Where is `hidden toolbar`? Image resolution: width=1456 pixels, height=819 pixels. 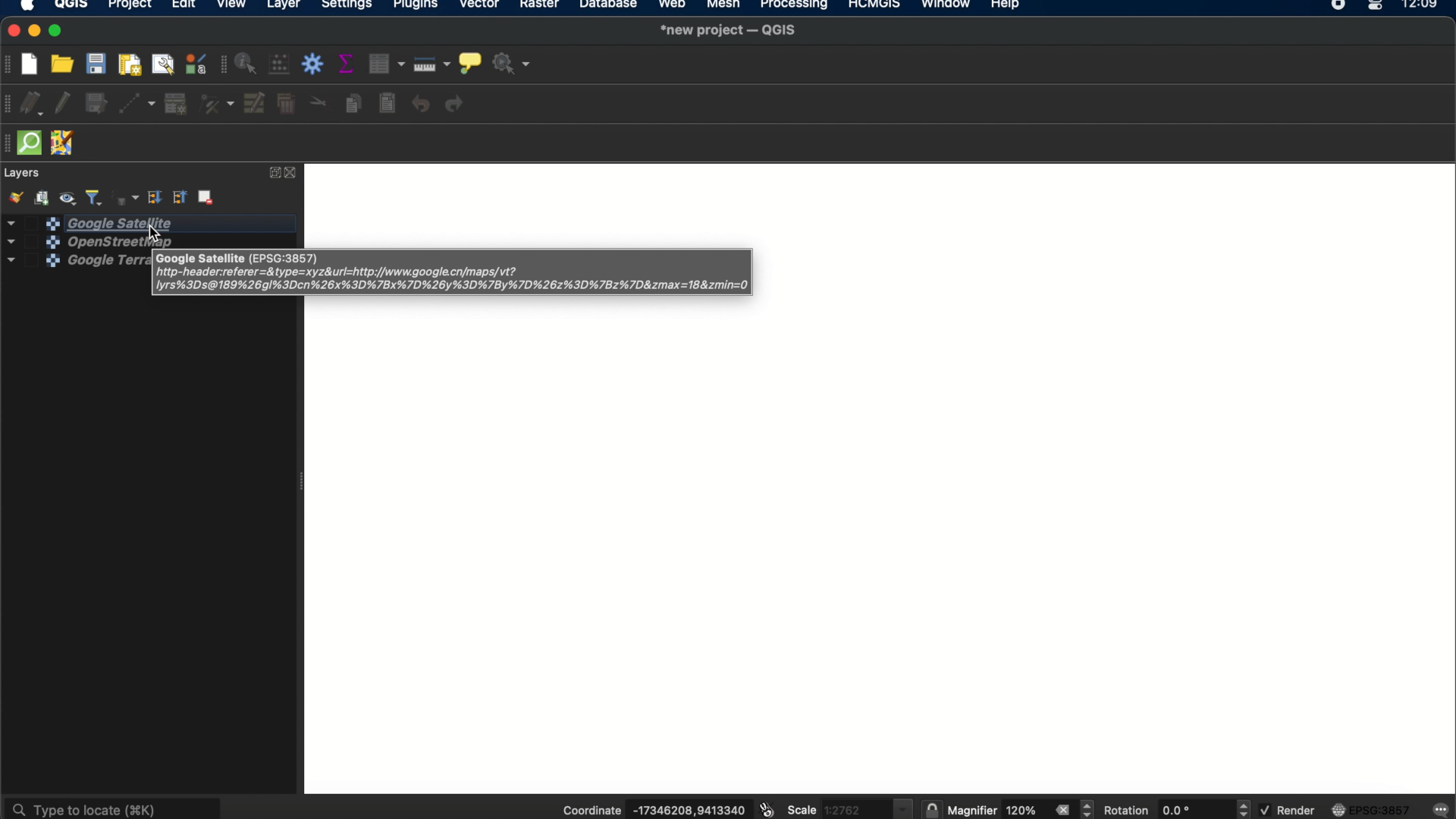 hidden toolbar is located at coordinates (9, 143).